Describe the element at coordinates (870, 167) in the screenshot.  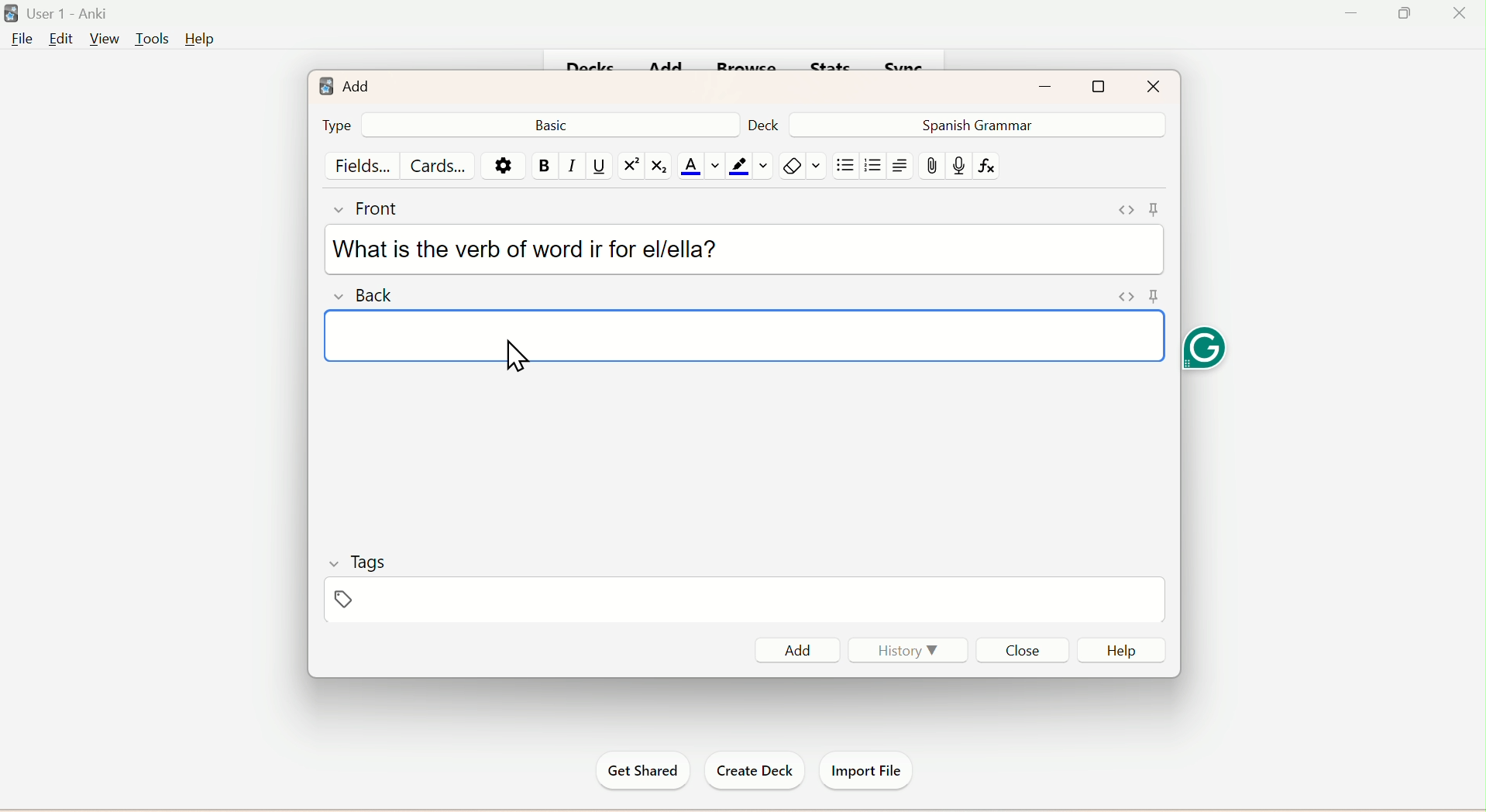
I see `/organised List` at that location.